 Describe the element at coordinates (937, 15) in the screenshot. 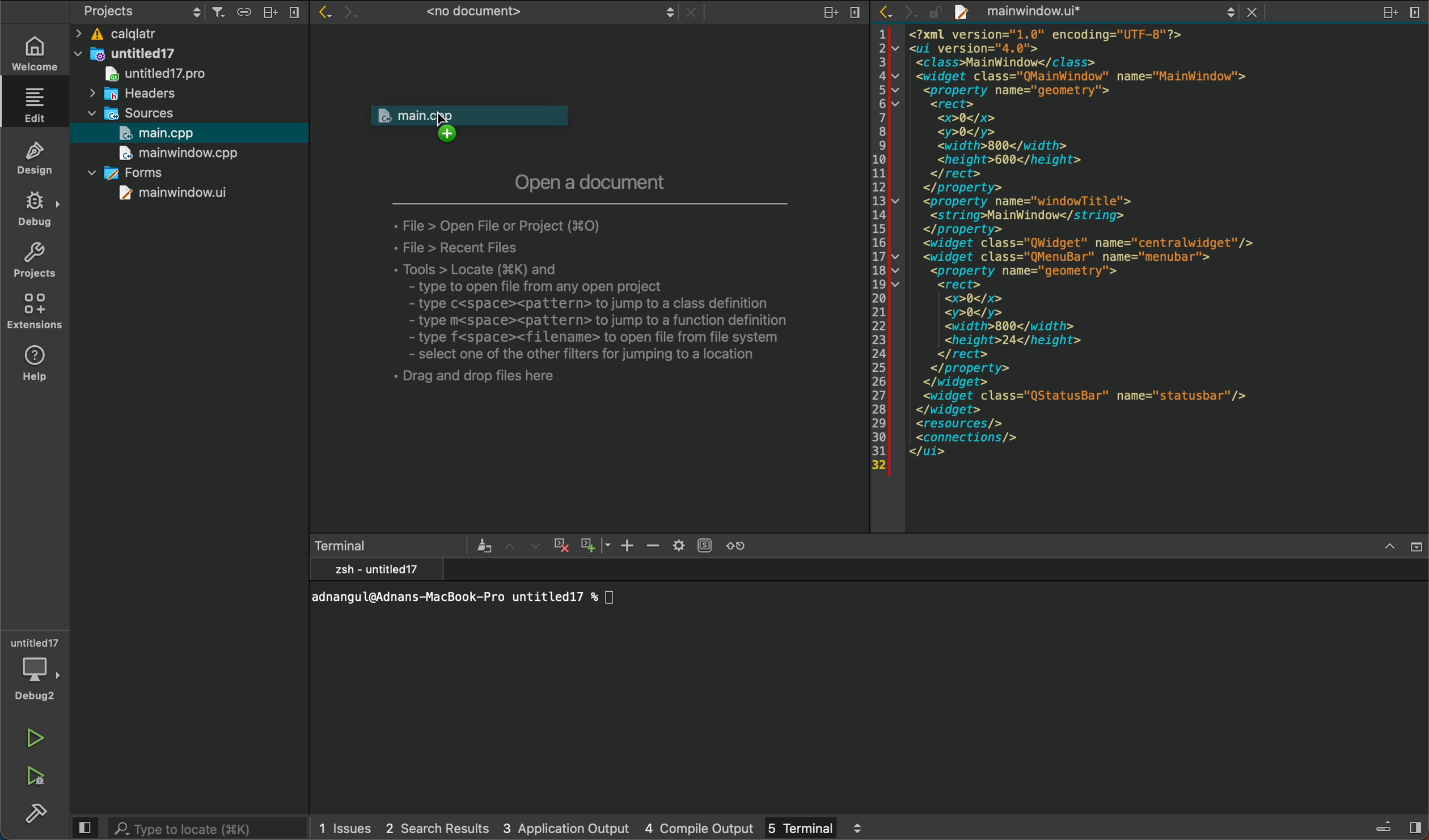

I see `file is writable` at that location.